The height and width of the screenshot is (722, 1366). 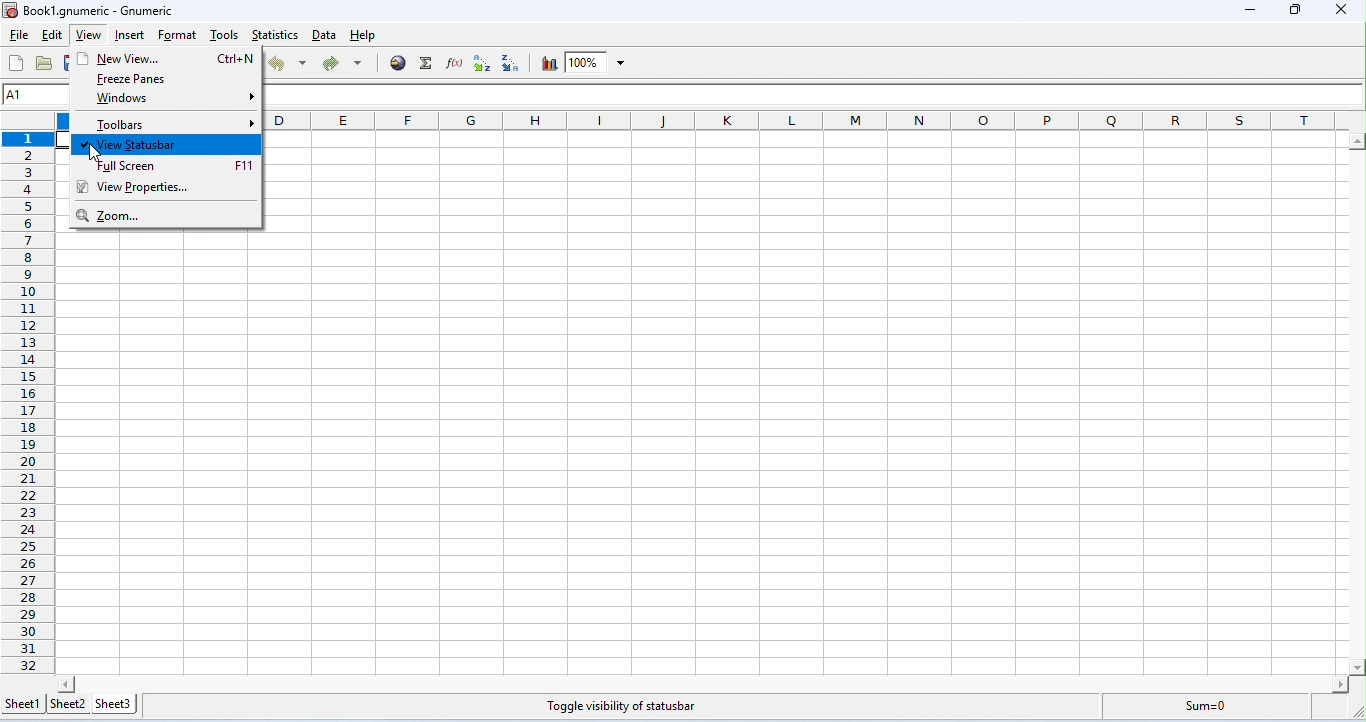 I want to click on data, so click(x=326, y=36).